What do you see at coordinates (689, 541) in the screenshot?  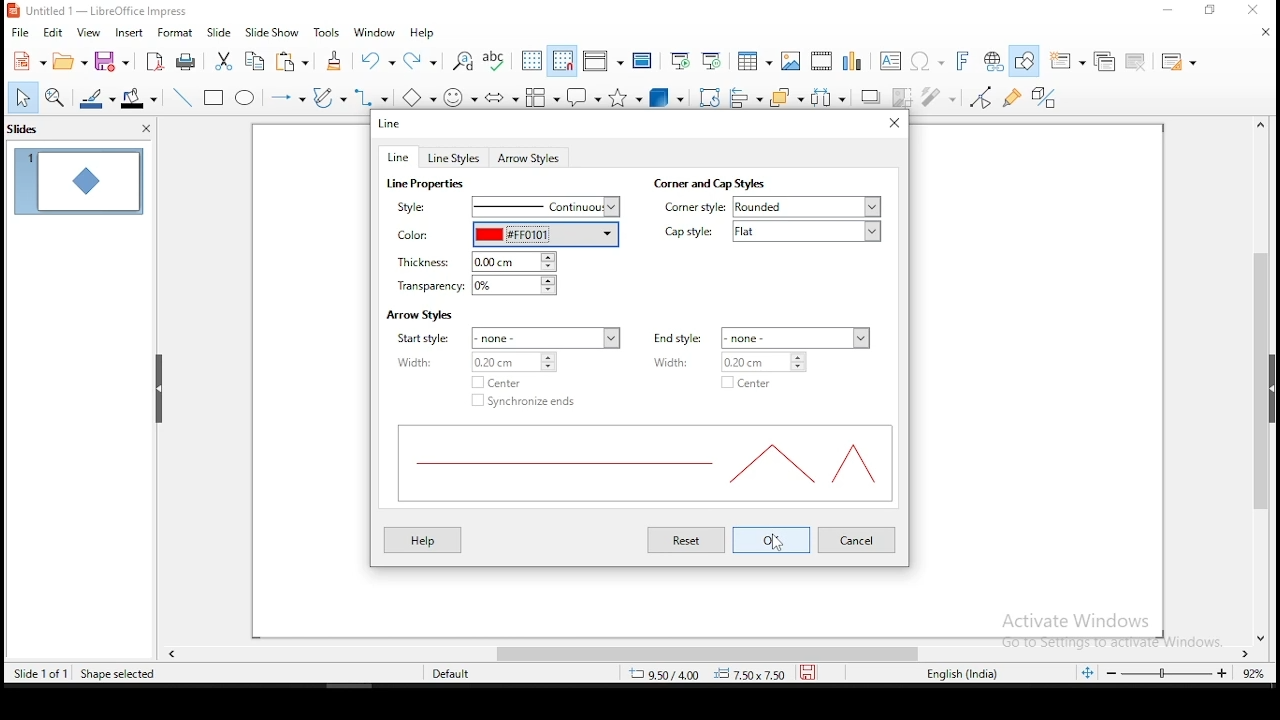 I see `reset` at bounding box center [689, 541].